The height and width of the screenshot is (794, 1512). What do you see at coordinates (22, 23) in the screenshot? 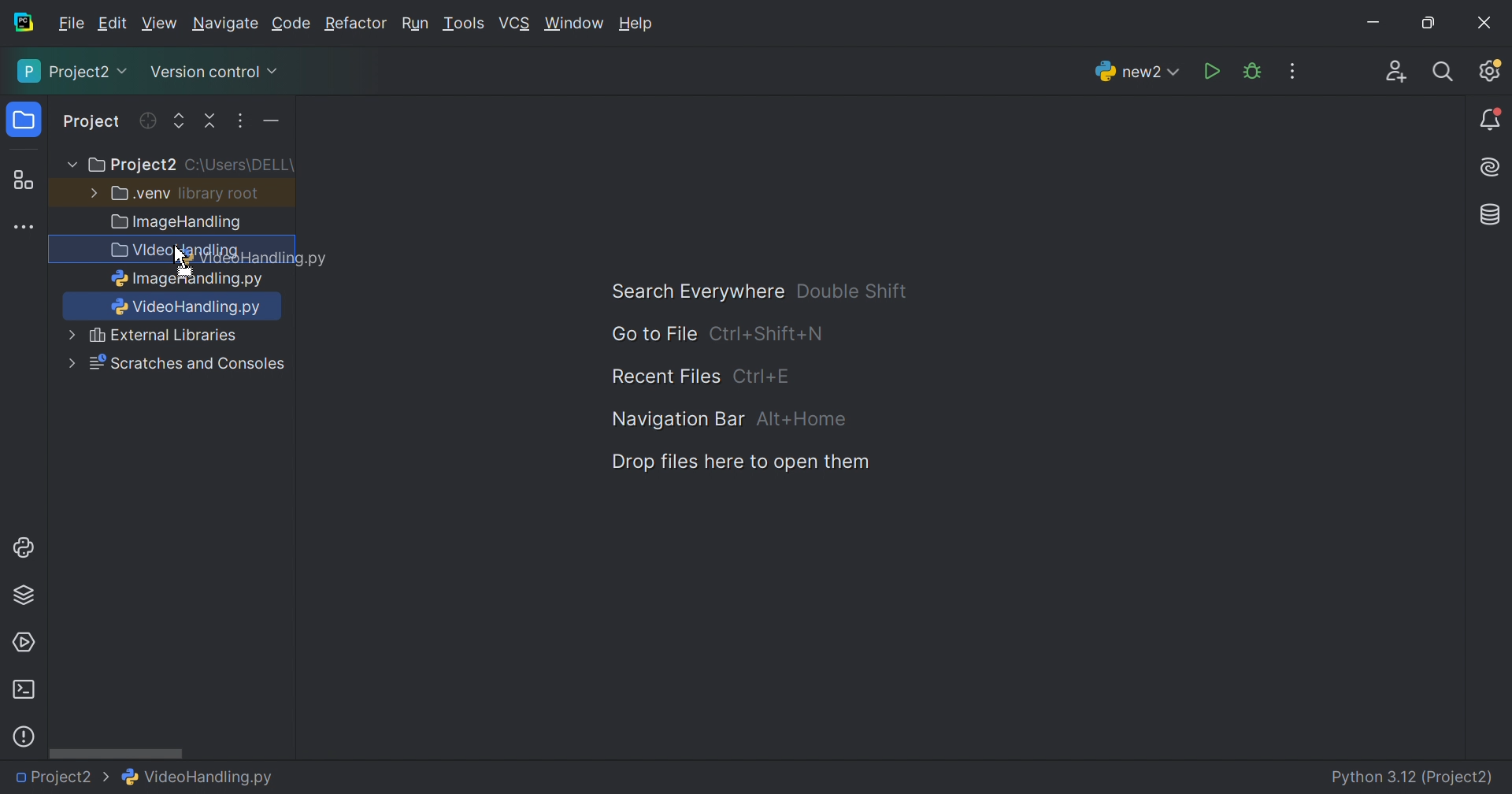
I see `PyCharm icon` at bounding box center [22, 23].